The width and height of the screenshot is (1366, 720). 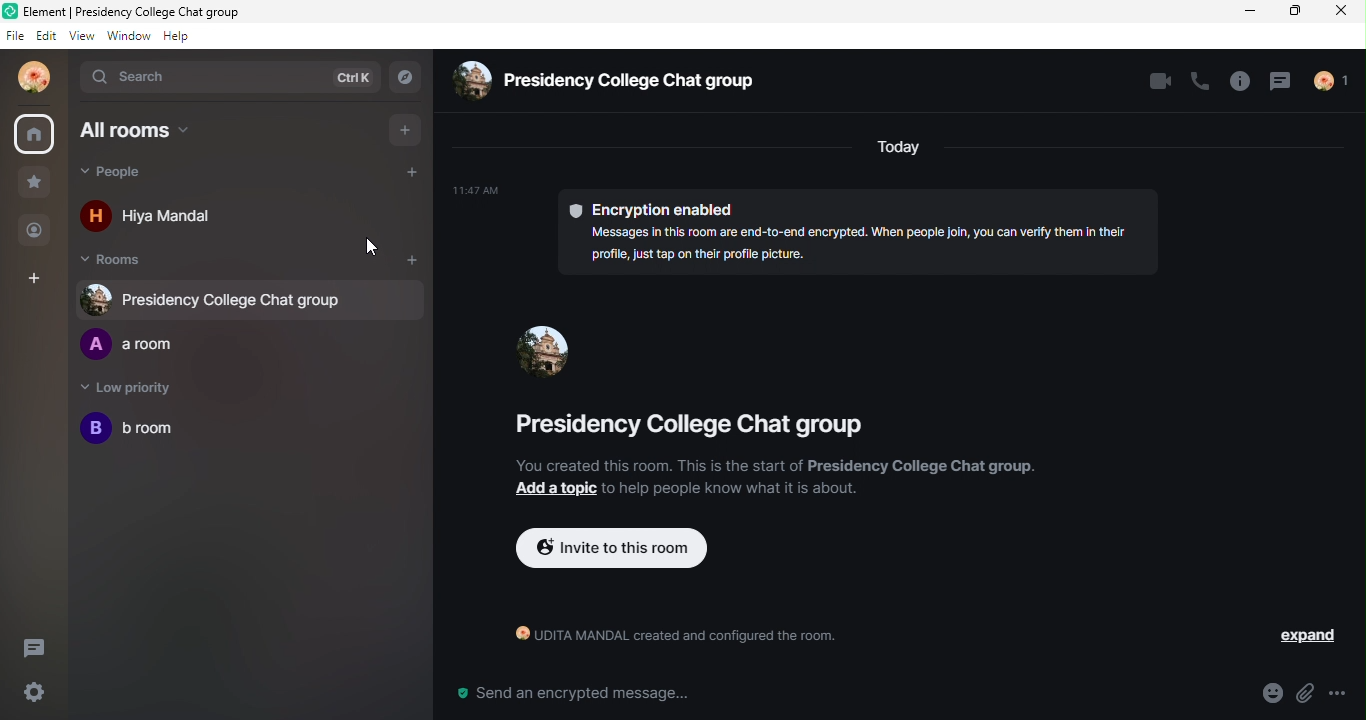 I want to click on create a space, so click(x=41, y=278).